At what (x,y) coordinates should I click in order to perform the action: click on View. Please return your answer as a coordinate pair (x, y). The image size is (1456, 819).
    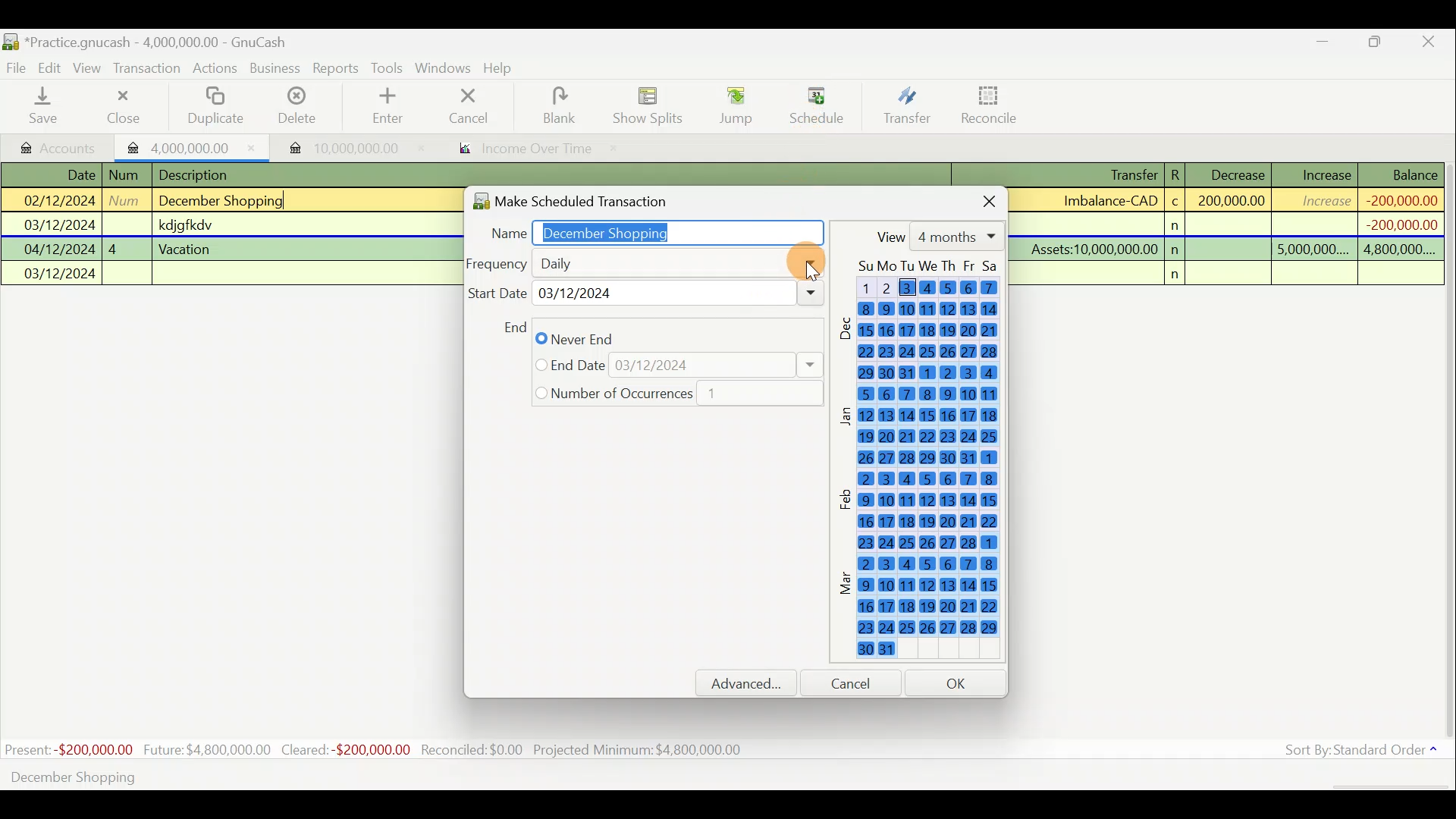
    Looking at the image, I should click on (89, 68).